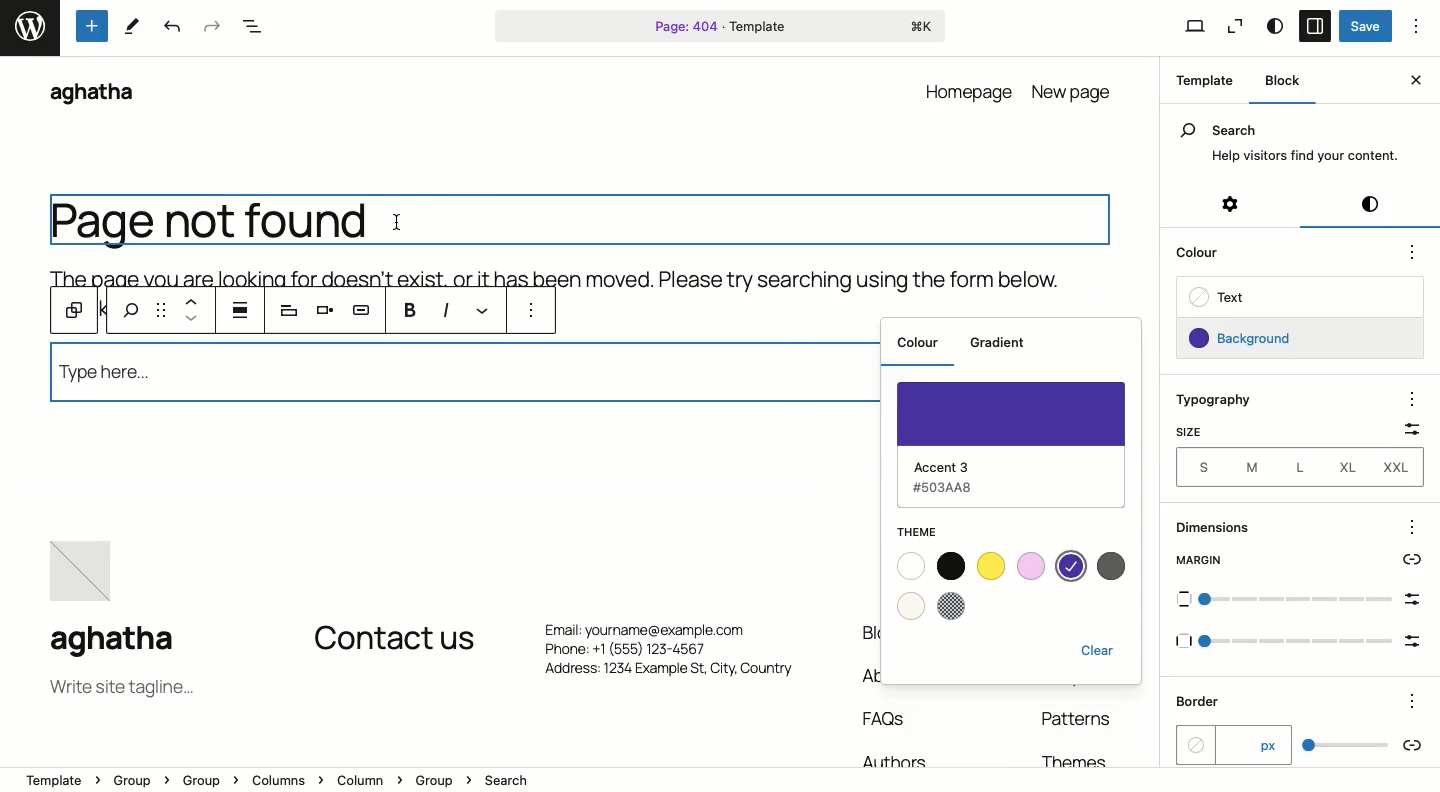  I want to click on Align, so click(321, 312).